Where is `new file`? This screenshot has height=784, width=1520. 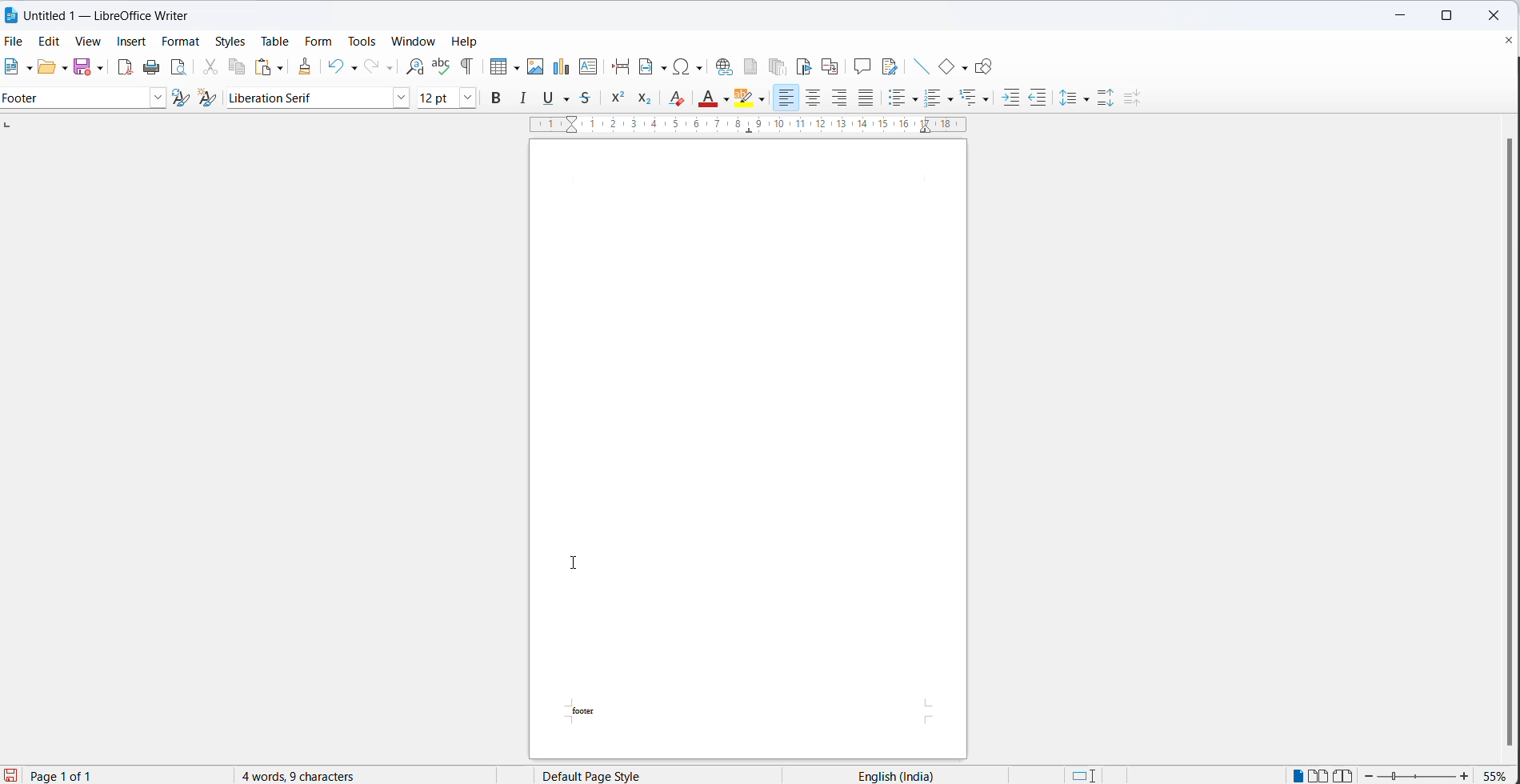
new file is located at coordinates (12, 68).